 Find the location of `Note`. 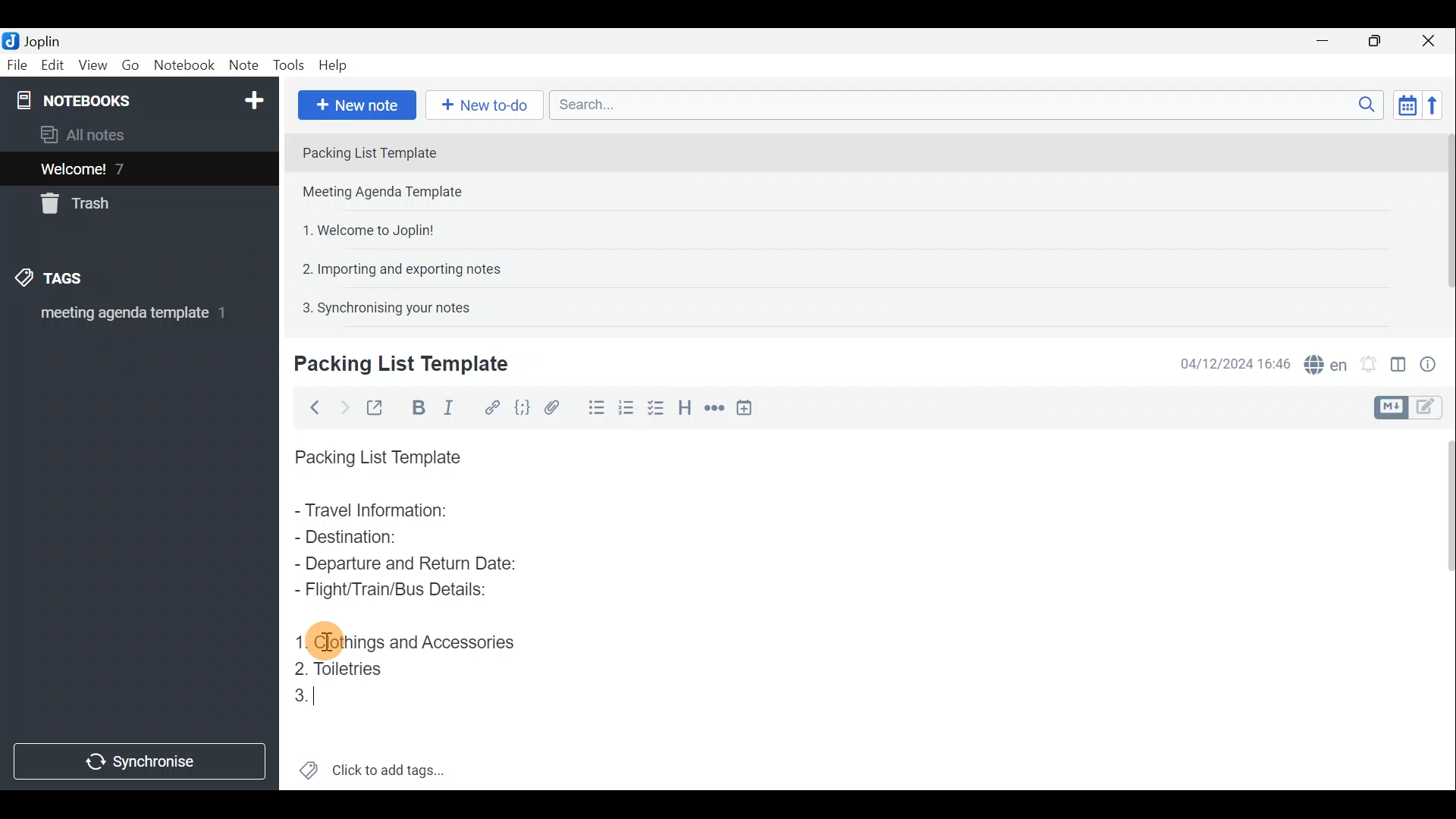

Note is located at coordinates (243, 66).